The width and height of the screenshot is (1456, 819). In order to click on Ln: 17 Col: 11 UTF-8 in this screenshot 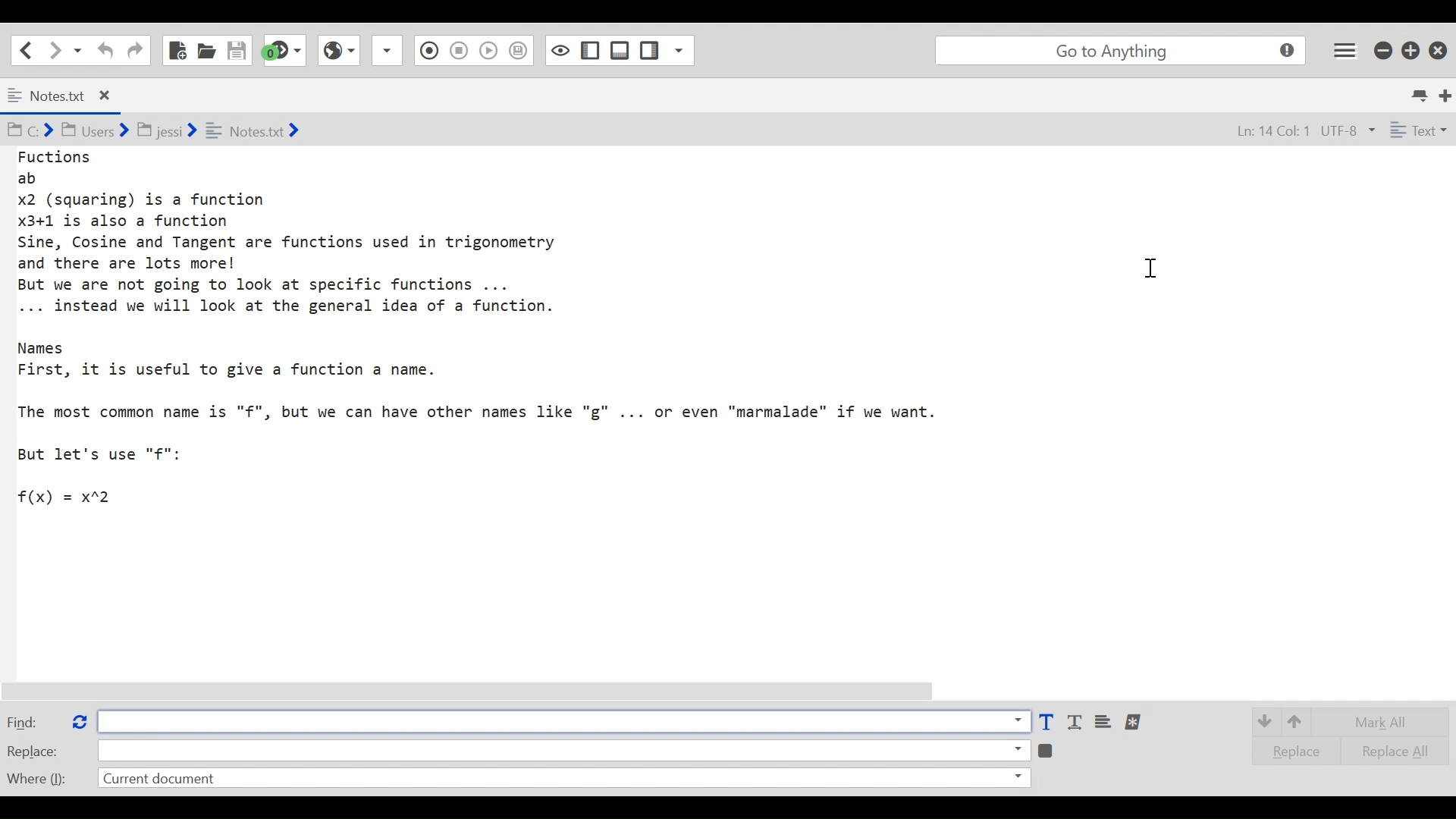, I will do `click(1288, 132)`.